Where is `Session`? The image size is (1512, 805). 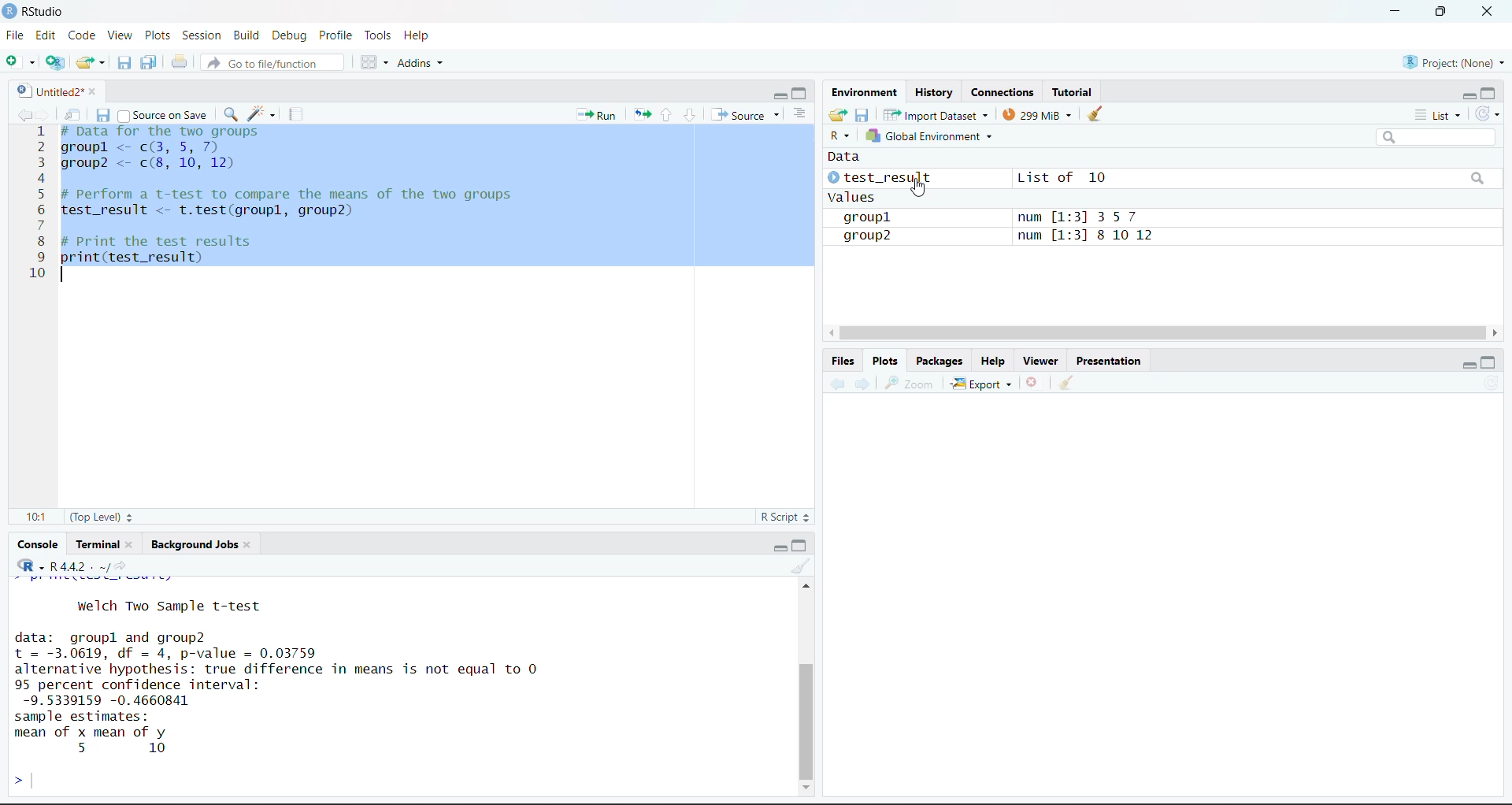
Session is located at coordinates (203, 35).